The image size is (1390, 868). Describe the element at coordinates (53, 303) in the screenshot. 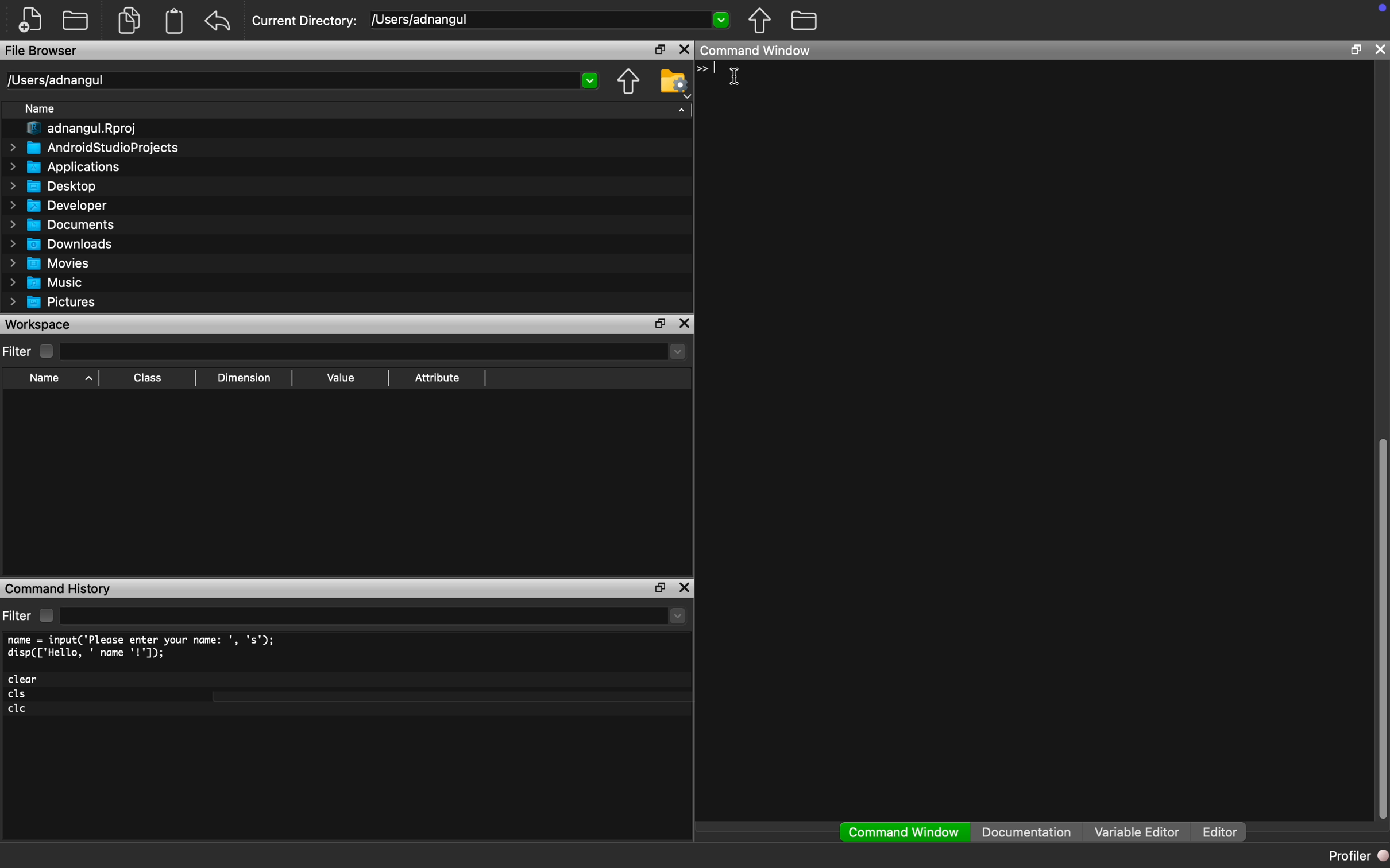

I see `Pictures` at that location.